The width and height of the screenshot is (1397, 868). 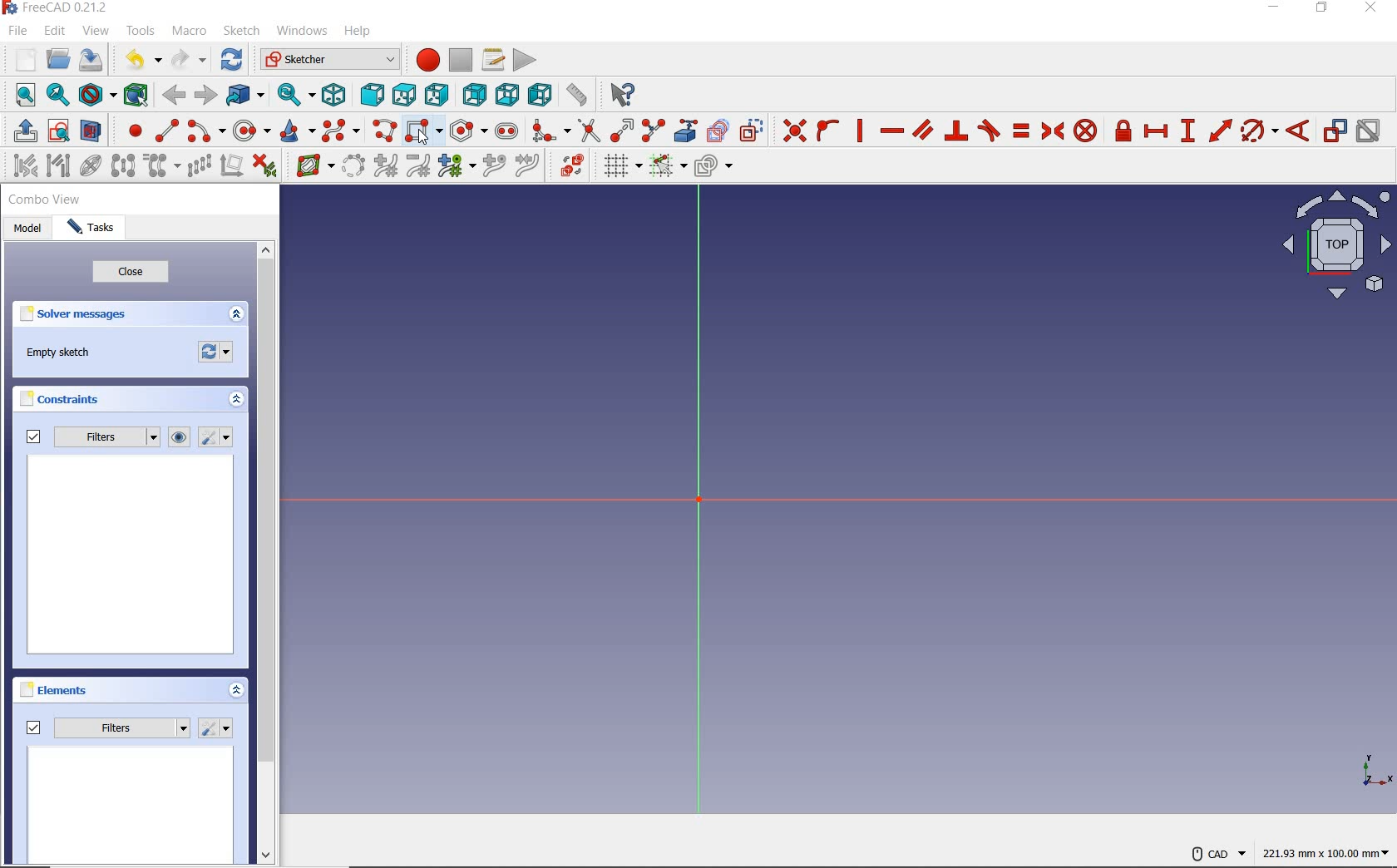 What do you see at coordinates (242, 31) in the screenshot?
I see `sketch` at bounding box center [242, 31].